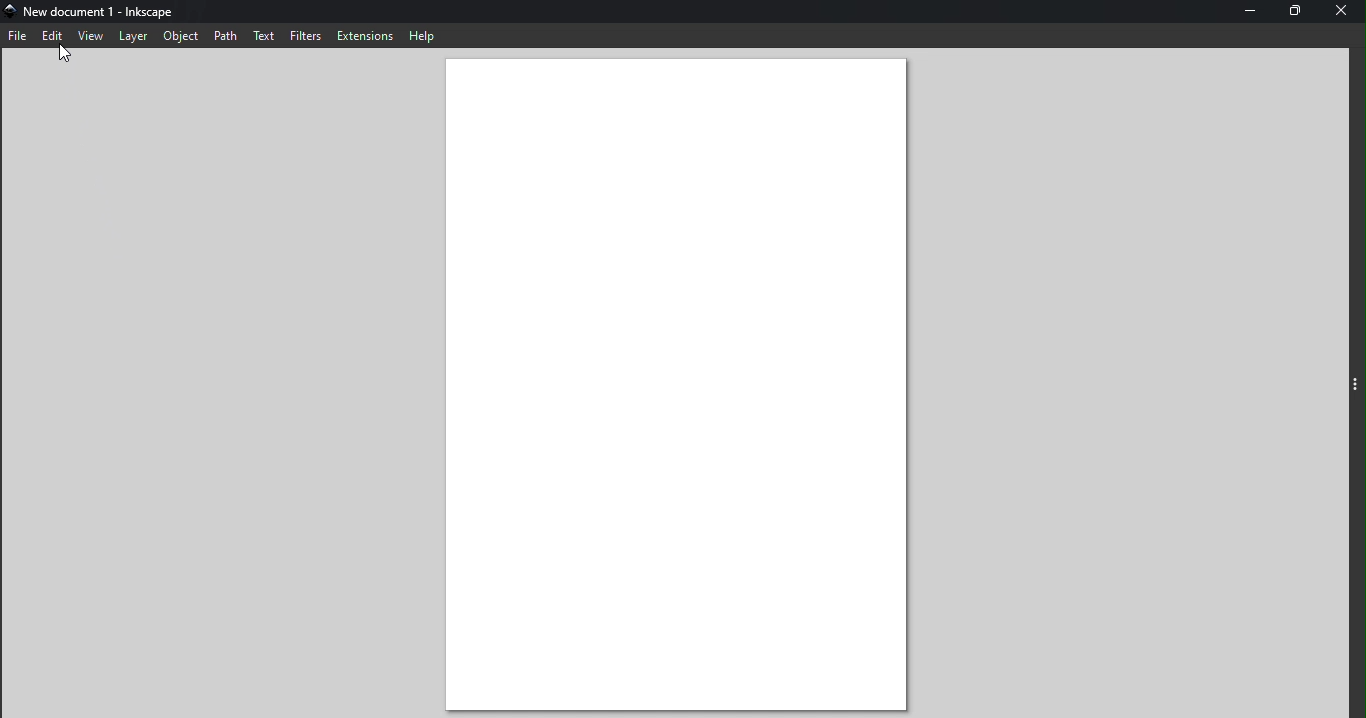  I want to click on Filters, so click(305, 35).